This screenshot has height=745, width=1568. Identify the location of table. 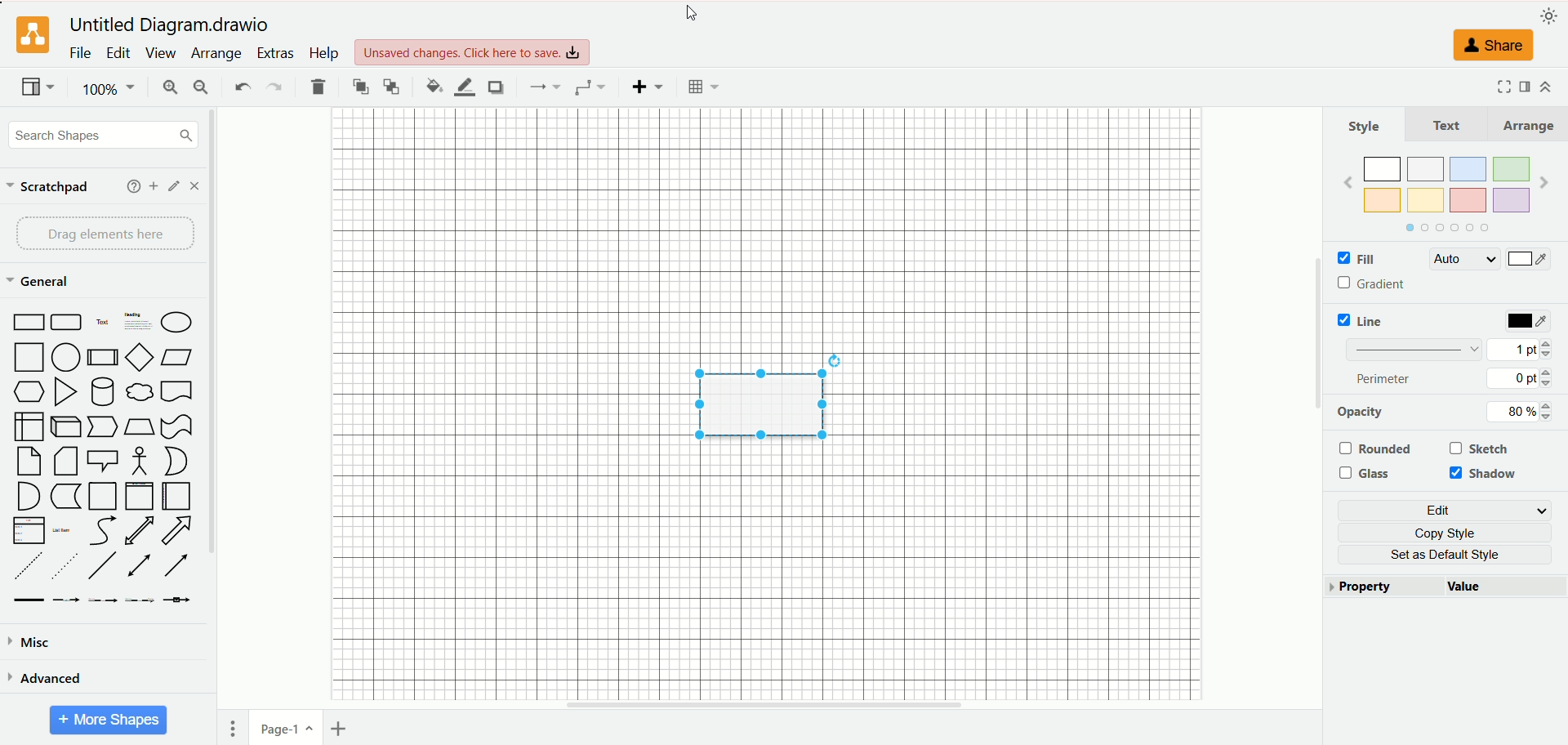
(703, 87).